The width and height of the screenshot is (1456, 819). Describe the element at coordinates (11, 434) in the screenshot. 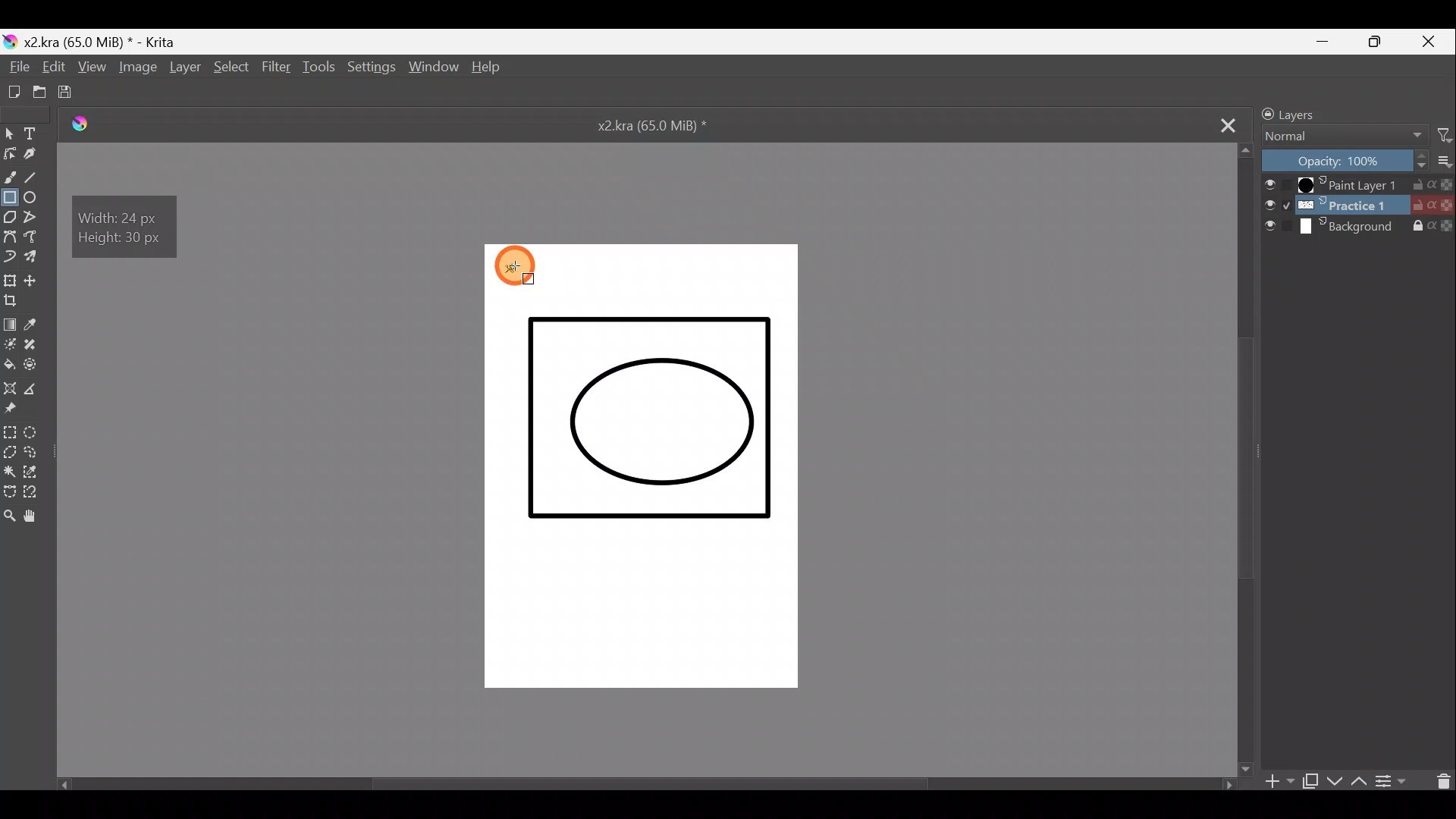

I see `Rectangular selection tool` at that location.